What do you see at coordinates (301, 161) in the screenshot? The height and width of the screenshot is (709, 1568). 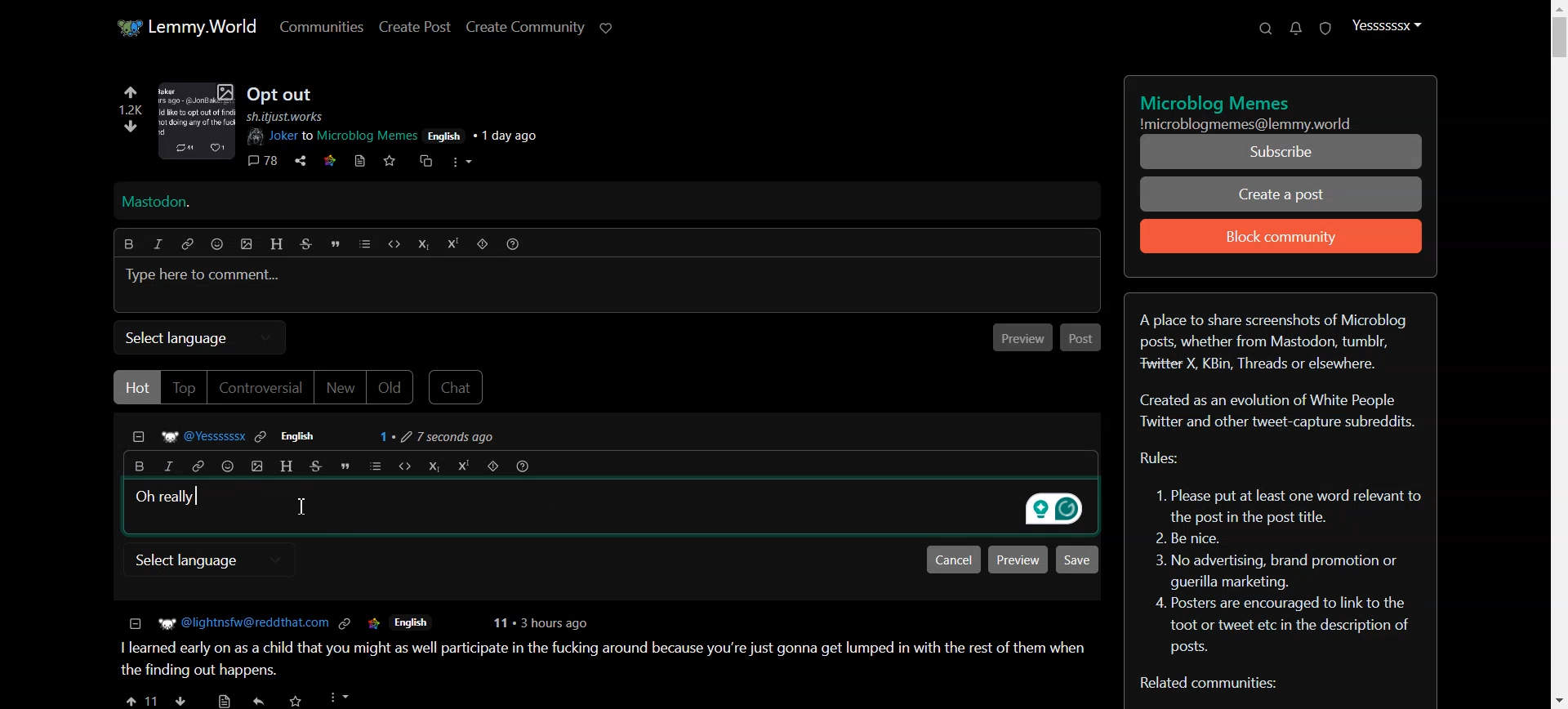 I see `share` at bounding box center [301, 161].